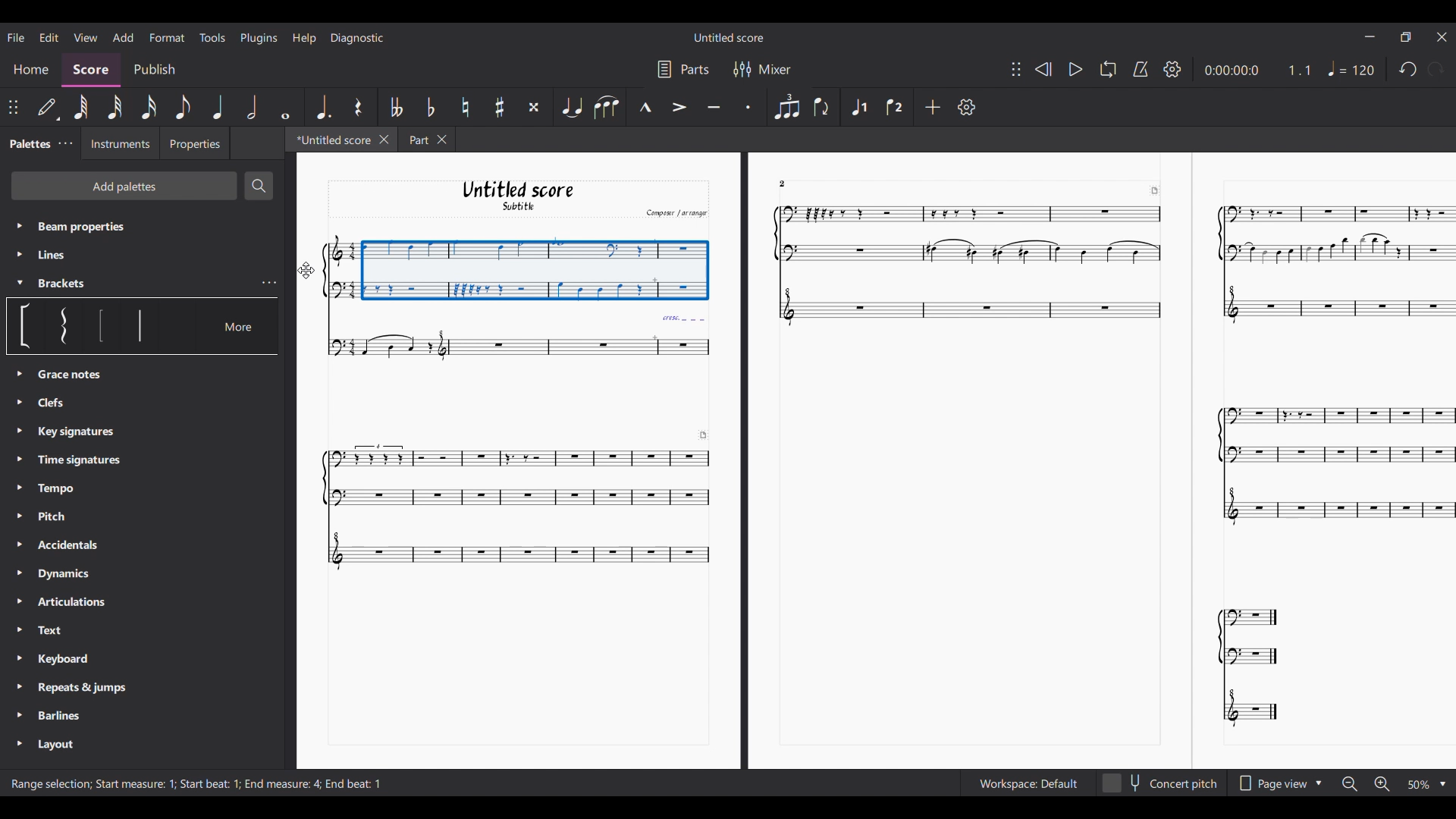 This screenshot has width=1456, height=819. I want to click on Drop down, so click(1321, 782).